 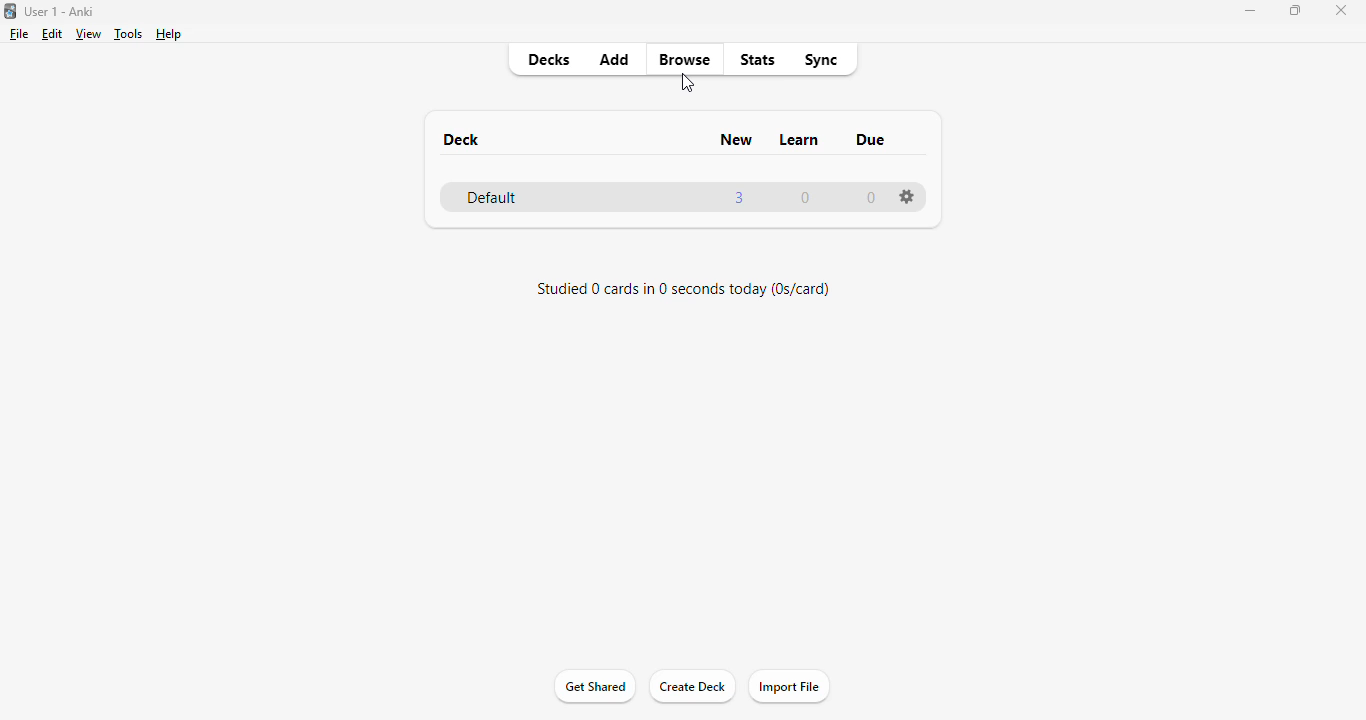 What do you see at coordinates (684, 60) in the screenshot?
I see `browse` at bounding box center [684, 60].